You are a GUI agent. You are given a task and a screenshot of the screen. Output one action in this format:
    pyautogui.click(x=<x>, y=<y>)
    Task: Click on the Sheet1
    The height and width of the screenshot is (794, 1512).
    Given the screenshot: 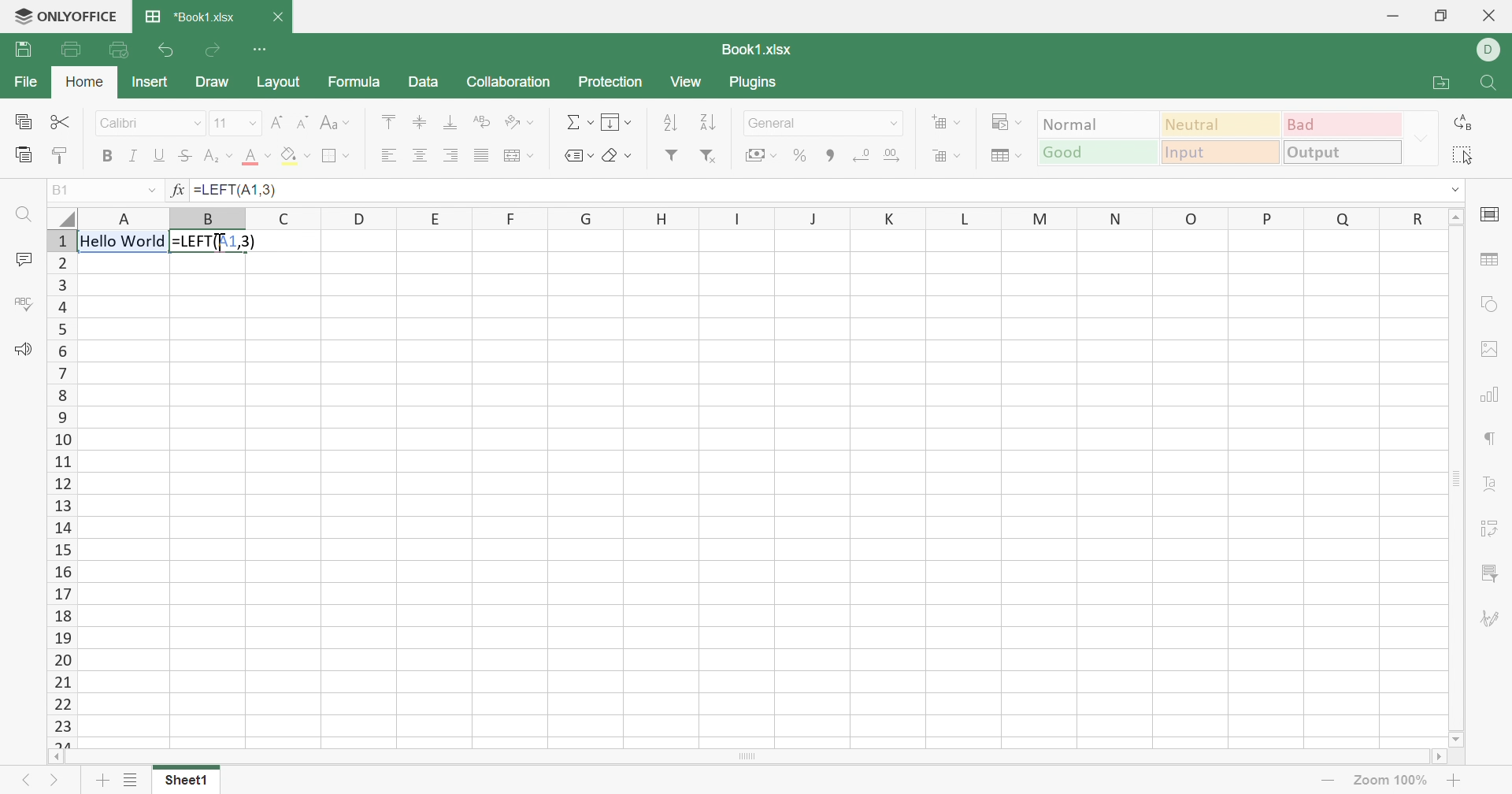 What is the action you would take?
    pyautogui.click(x=187, y=781)
    